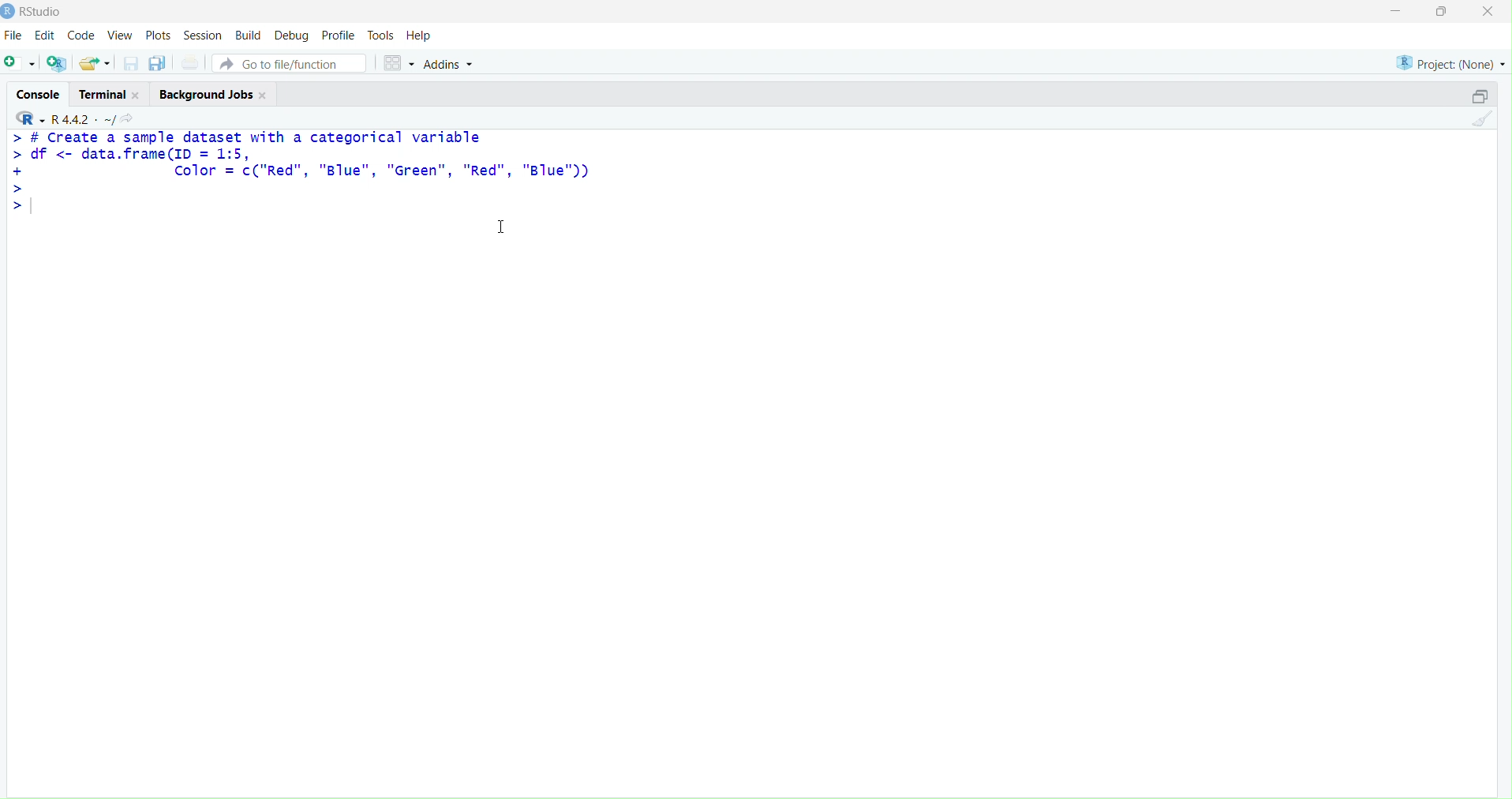  I want to click on grid, so click(399, 63).